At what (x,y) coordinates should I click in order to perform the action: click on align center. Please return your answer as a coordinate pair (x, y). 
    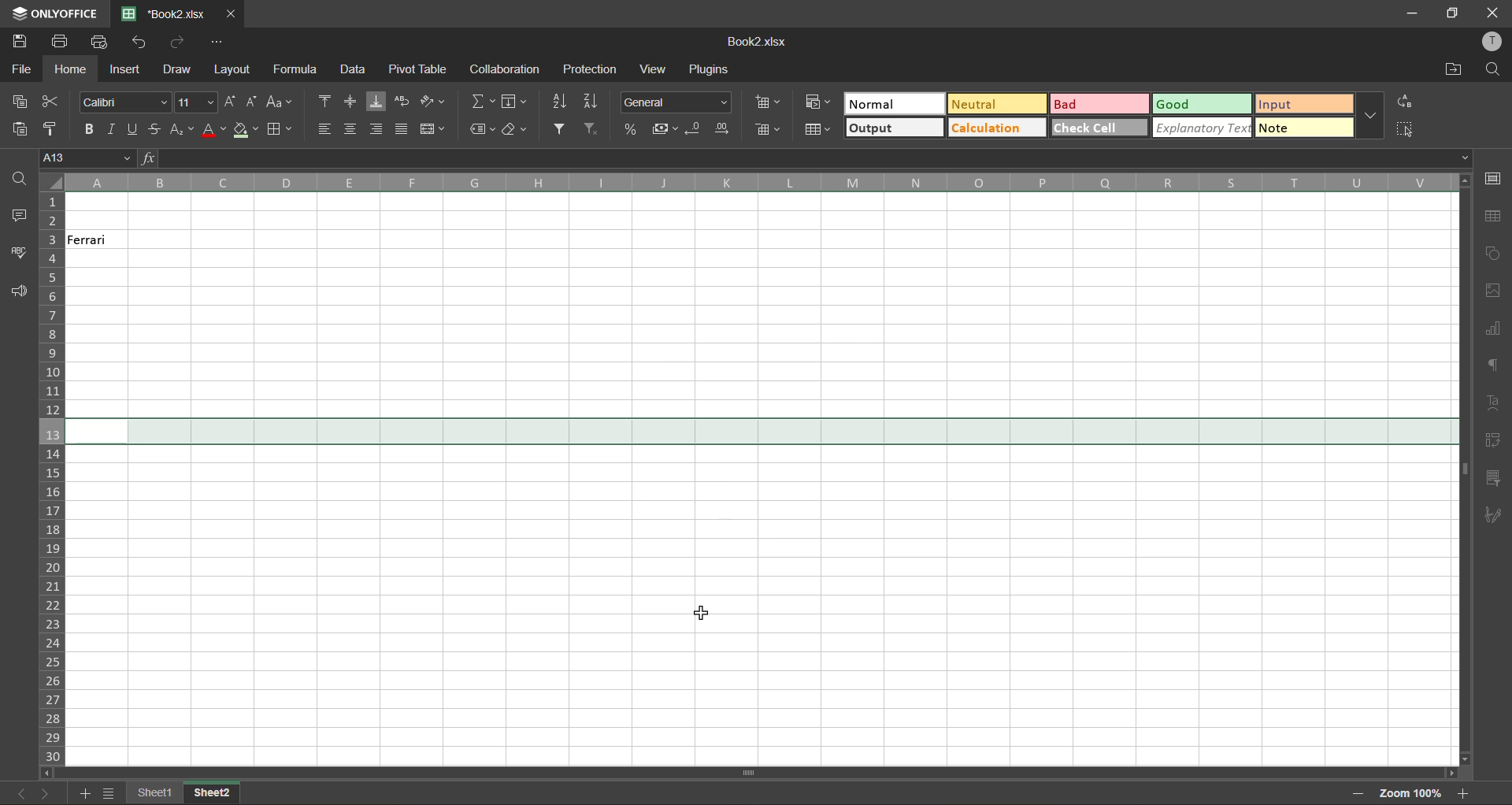
    Looking at the image, I should click on (354, 129).